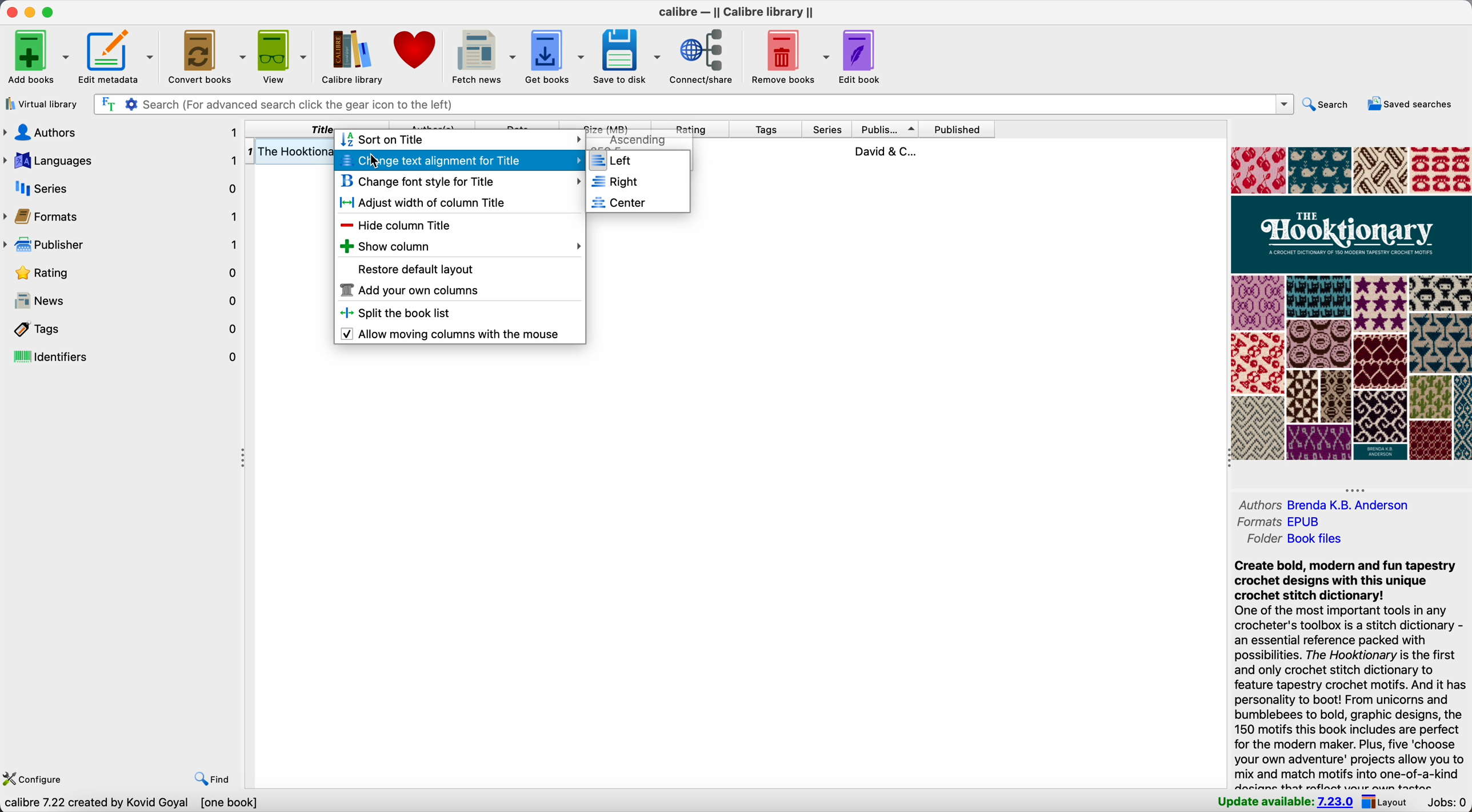  Describe the element at coordinates (639, 161) in the screenshot. I see `left` at that location.